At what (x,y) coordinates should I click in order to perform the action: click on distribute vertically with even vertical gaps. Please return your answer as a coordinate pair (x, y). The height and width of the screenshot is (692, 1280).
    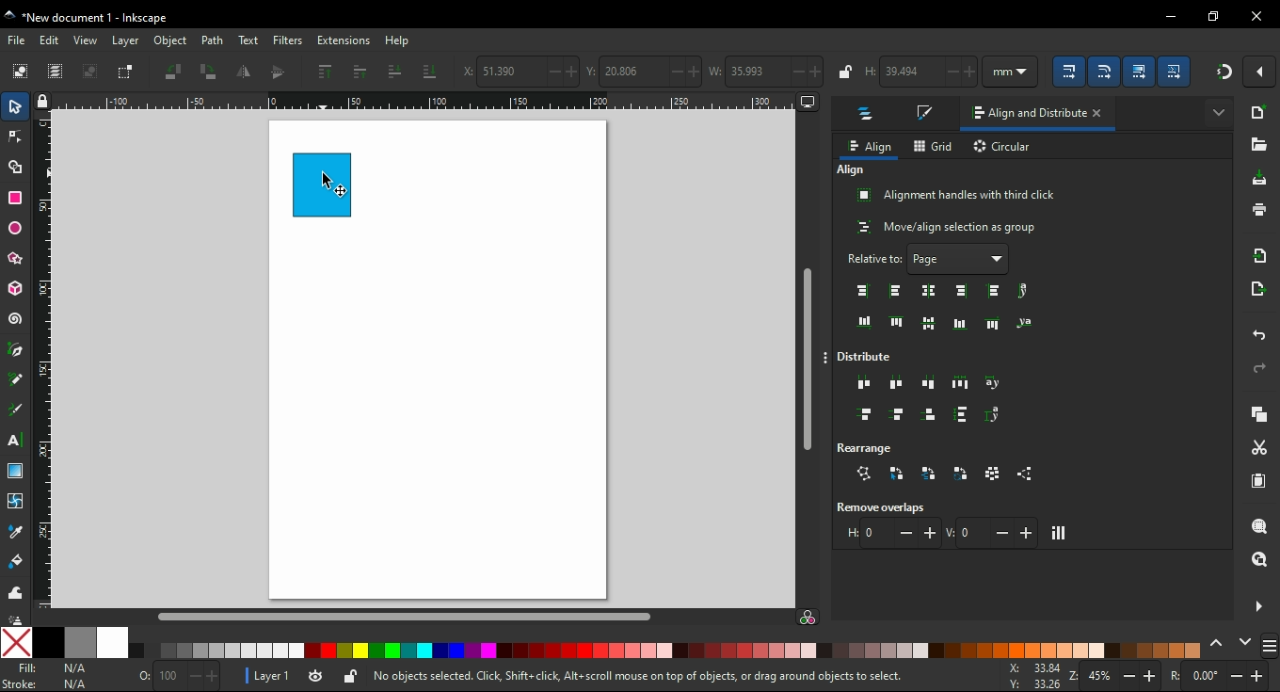
    Looking at the image, I should click on (962, 417).